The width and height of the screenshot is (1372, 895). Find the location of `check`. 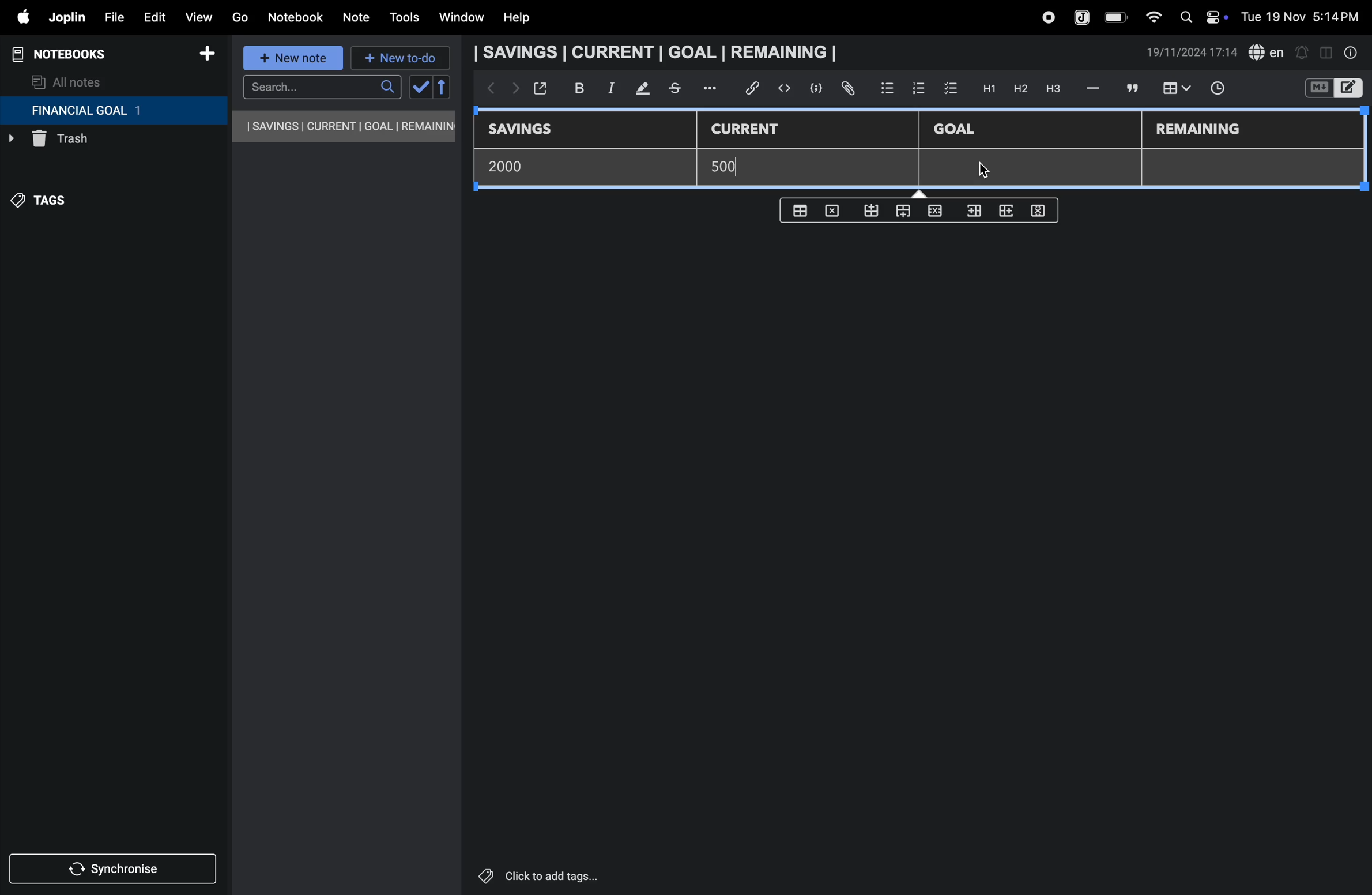

check is located at coordinates (419, 88).